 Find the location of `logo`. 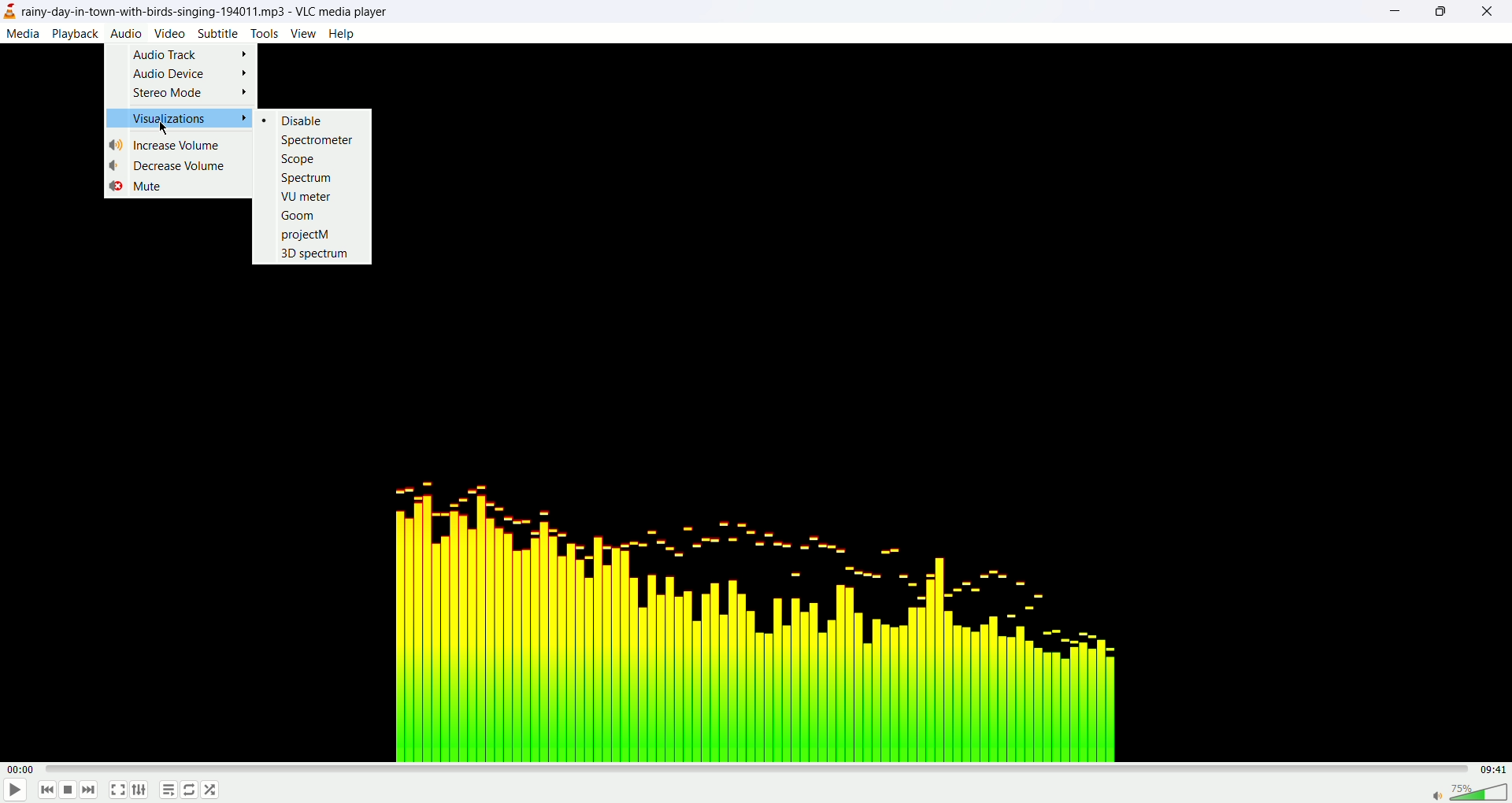

logo is located at coordinates (9, 10).